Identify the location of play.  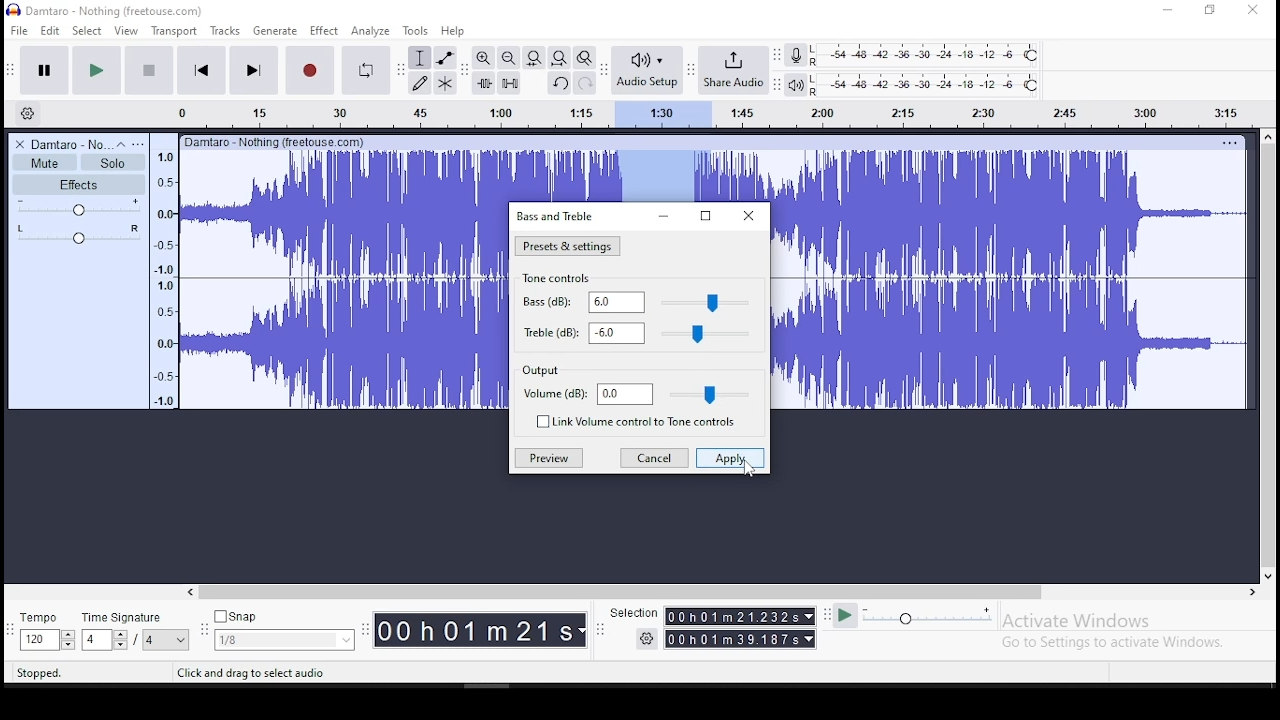
(96, 71).